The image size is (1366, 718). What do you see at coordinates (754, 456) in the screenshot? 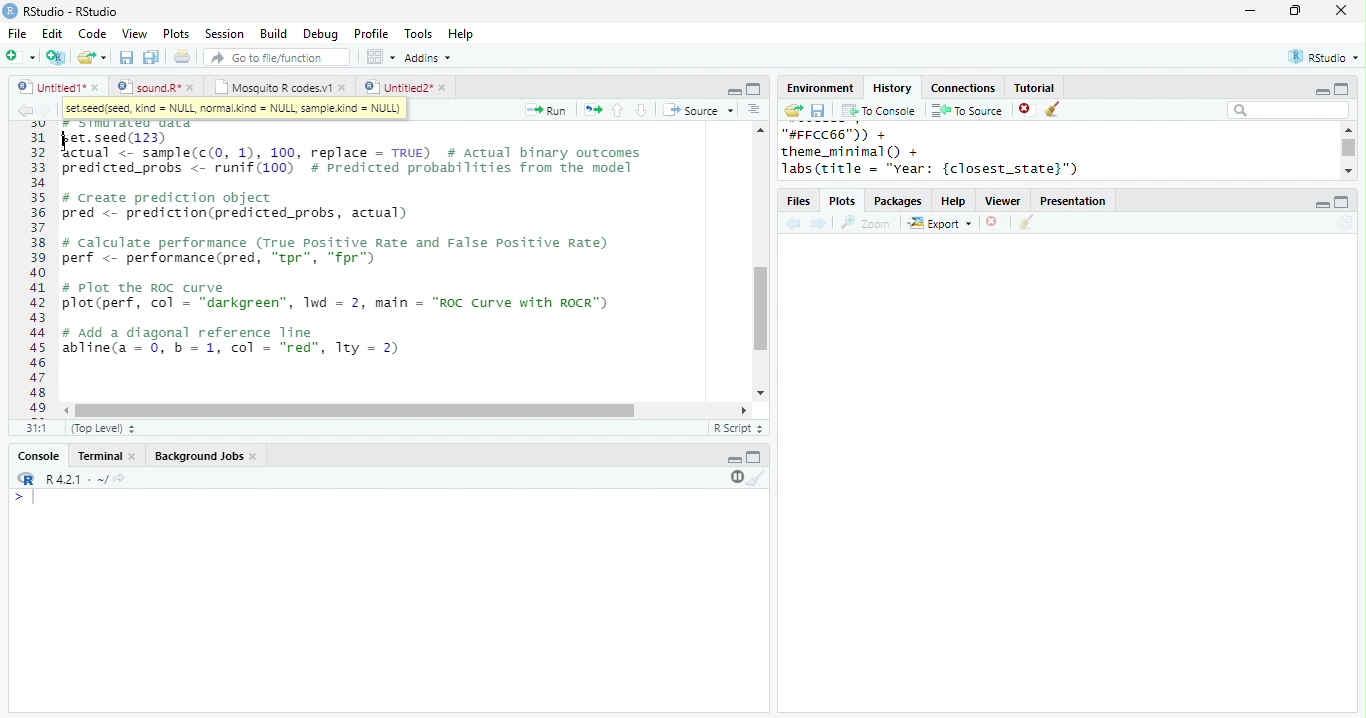
I see `maximize` at bounding box center [754, 456].